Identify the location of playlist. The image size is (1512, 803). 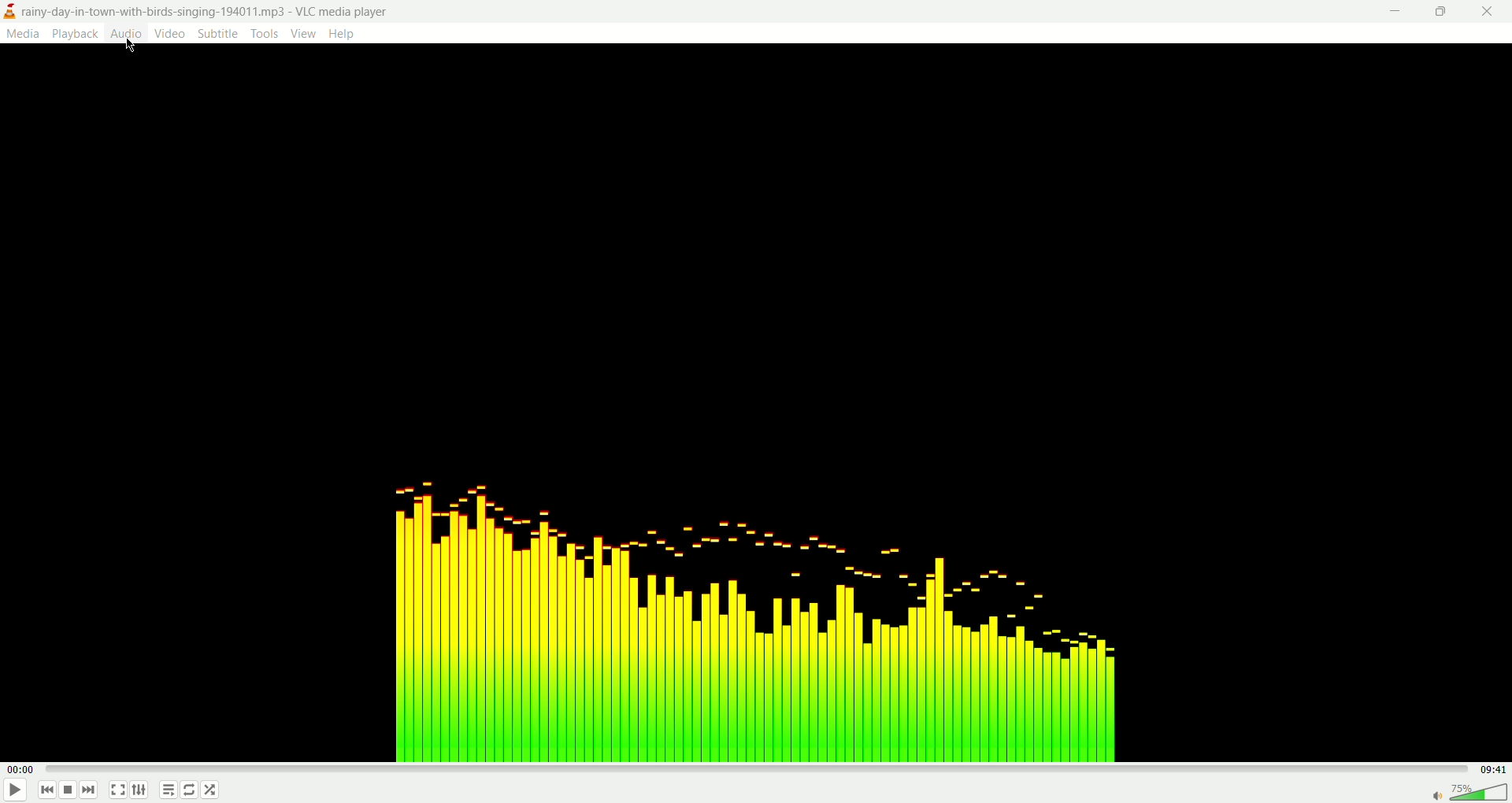
(165, 792).